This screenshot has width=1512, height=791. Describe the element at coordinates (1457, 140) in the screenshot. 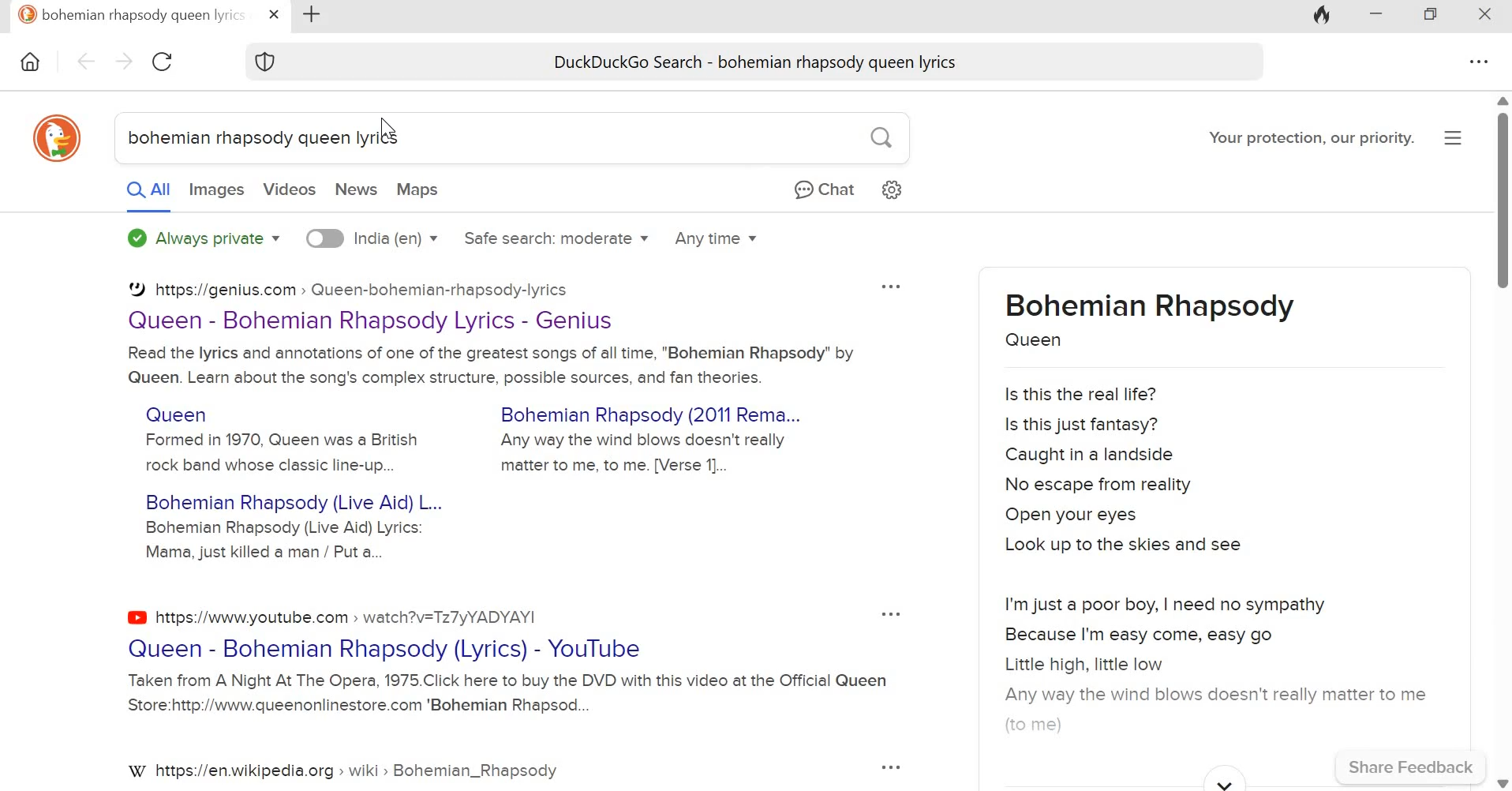

I see `Application menu` at that location.